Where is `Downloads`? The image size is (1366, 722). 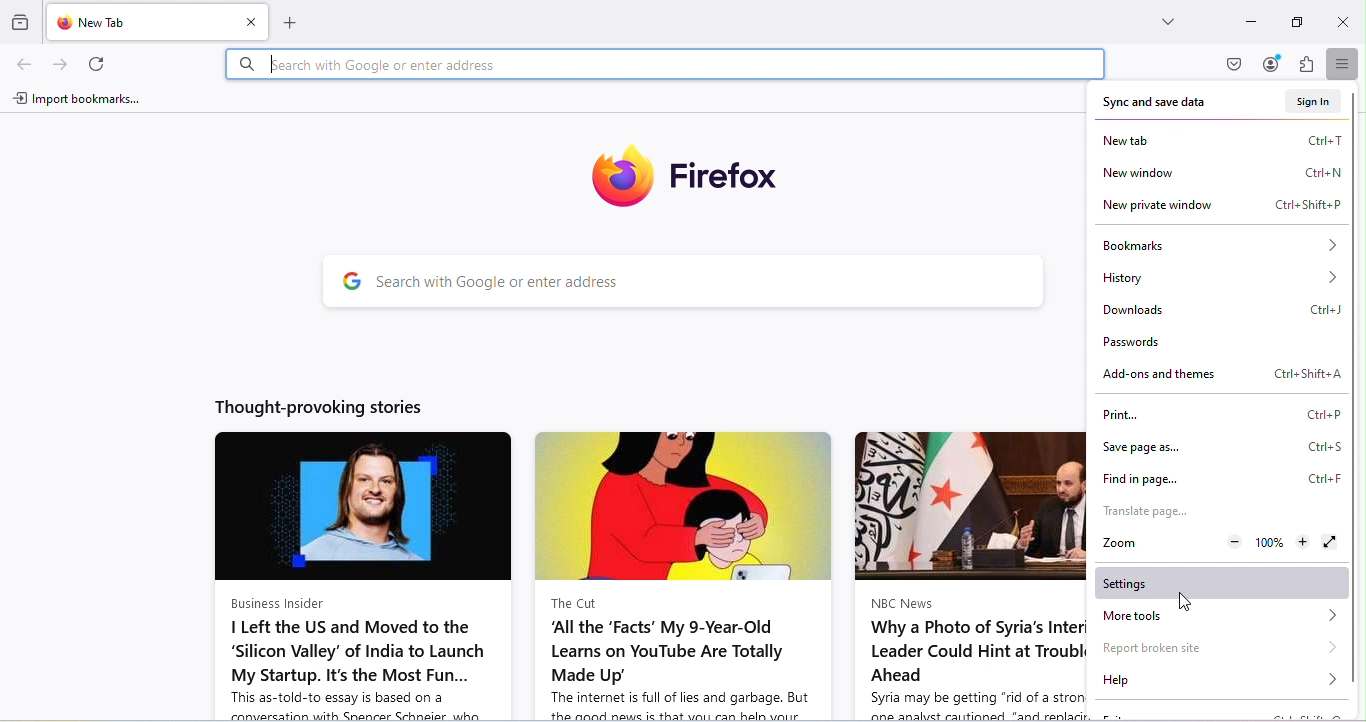
Downloads is located at coordinates (1219, 312).